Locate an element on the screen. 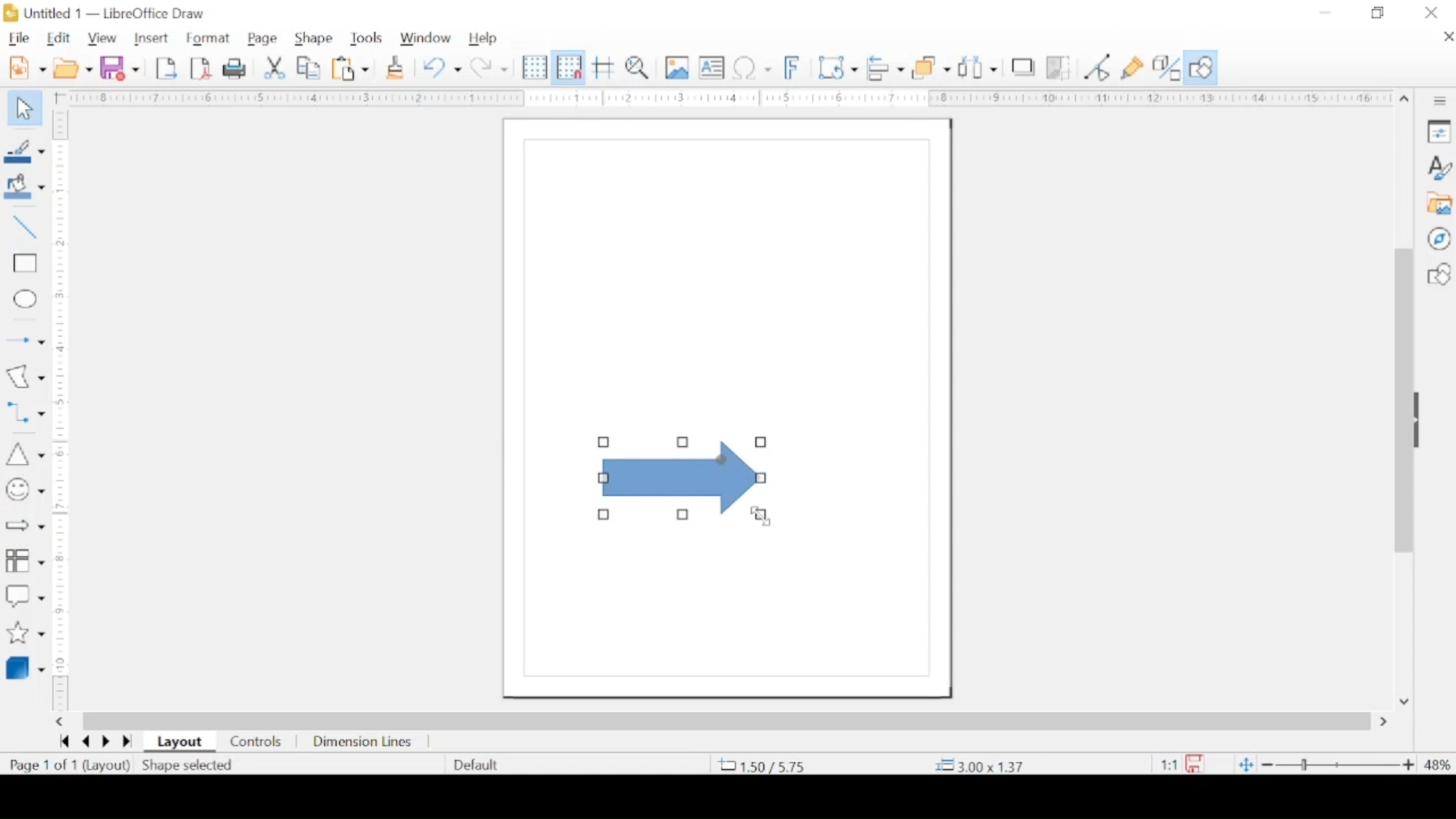 This screenshot has width=1456, height=819. resize handle is located at coordinates (762, 516).